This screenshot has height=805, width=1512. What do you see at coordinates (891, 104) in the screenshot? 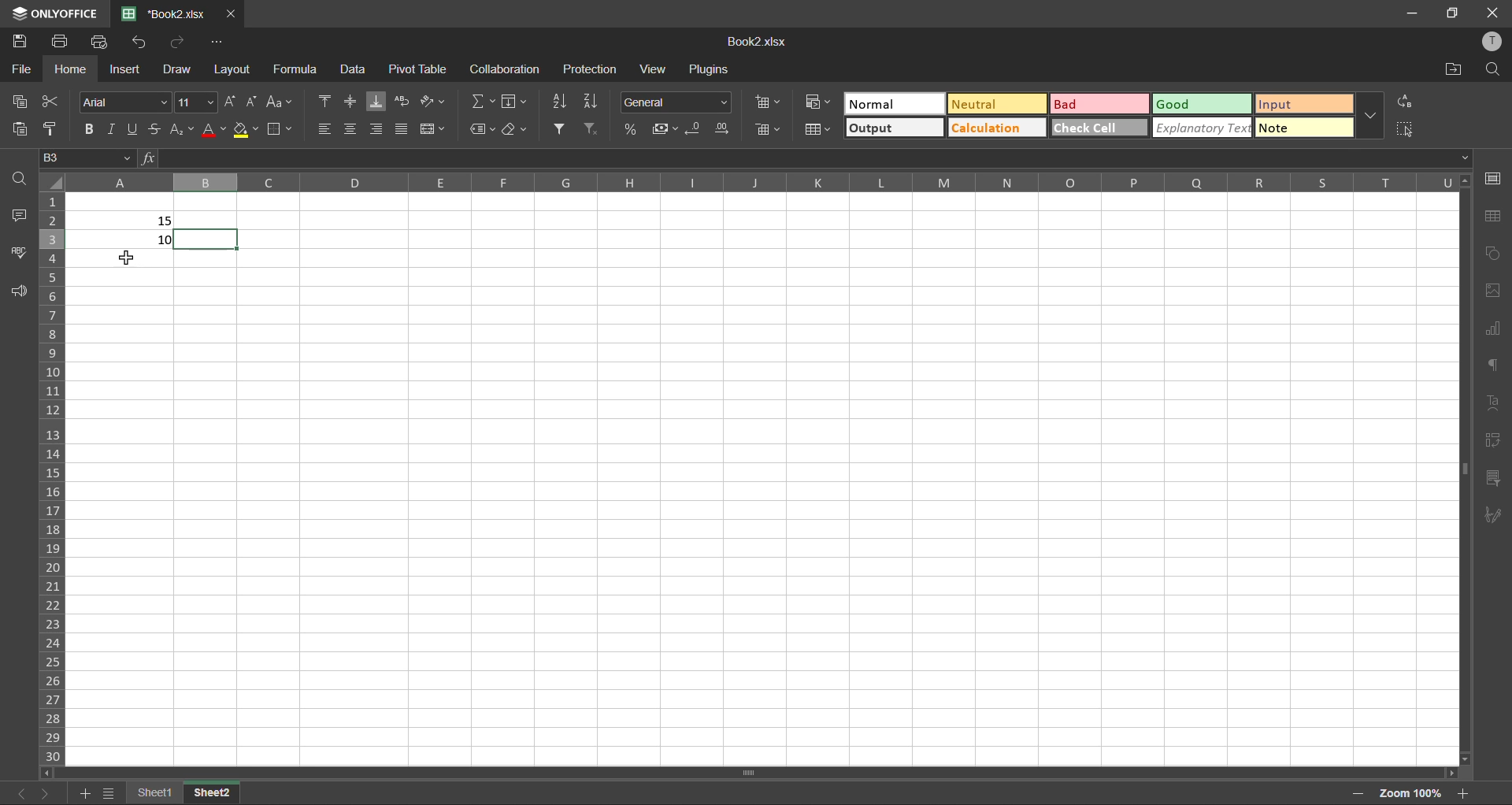
I see `normal` at bounding box center [891, 104].